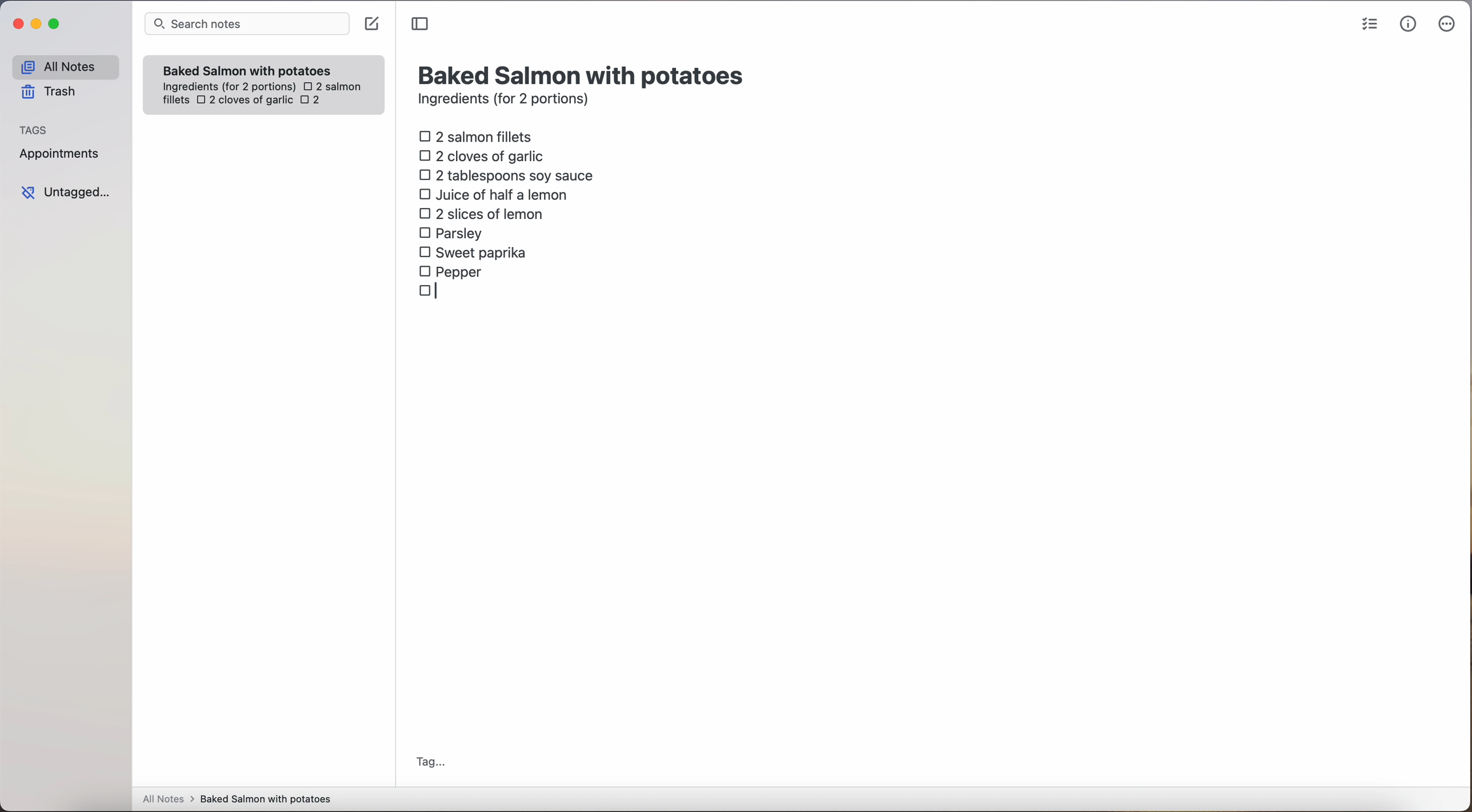 This screenshot has width=1472, height=812. What do you see at coordinates (227, 87) in the screenshot?
I see `ingredientes (for 2 portions)` at bounding box center [227, 87].